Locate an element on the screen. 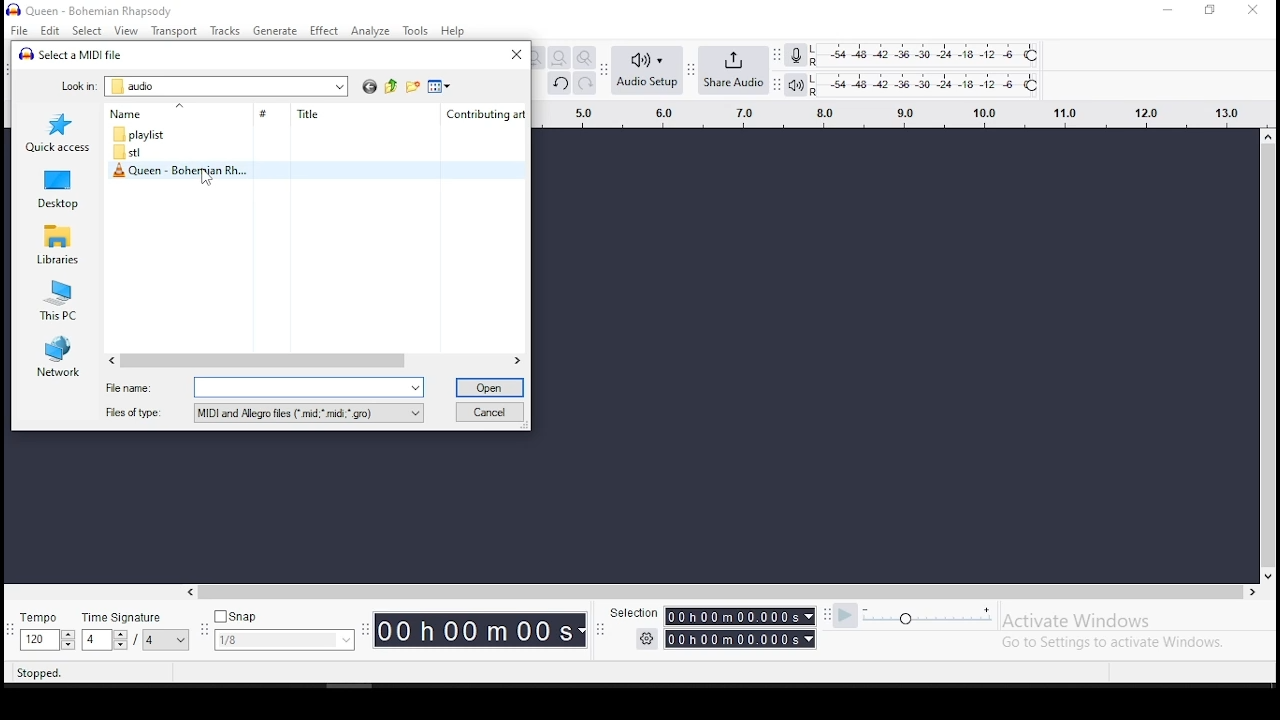 The height and width of the screenshot is (720, 1280). open is located at coordinates (490, 388).